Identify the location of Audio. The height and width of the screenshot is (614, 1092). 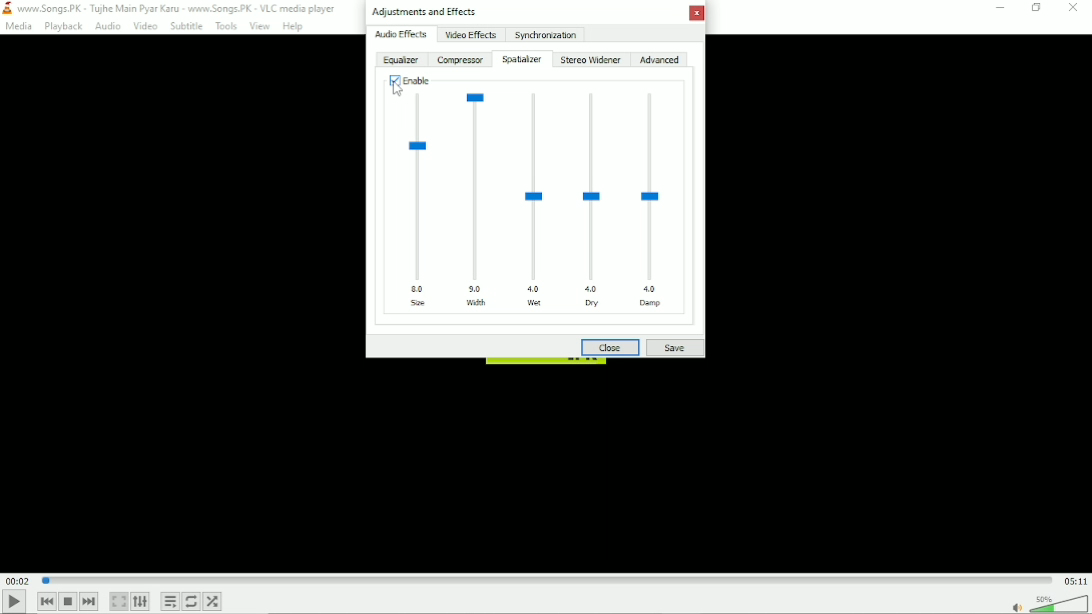
(107, 26).